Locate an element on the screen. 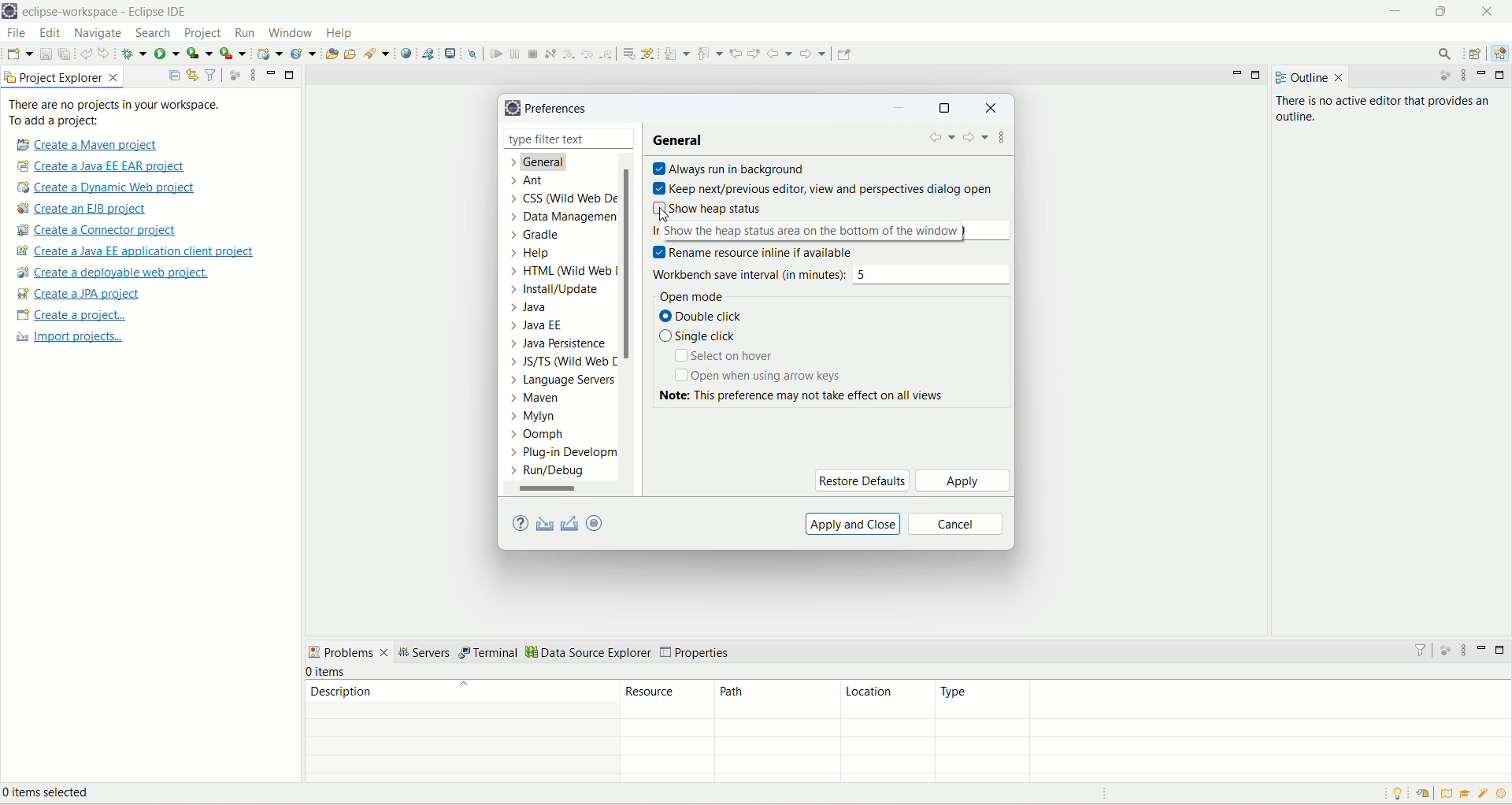 This screenshot has height=805, width=1512. maximize is located at coordinates (944, 109).